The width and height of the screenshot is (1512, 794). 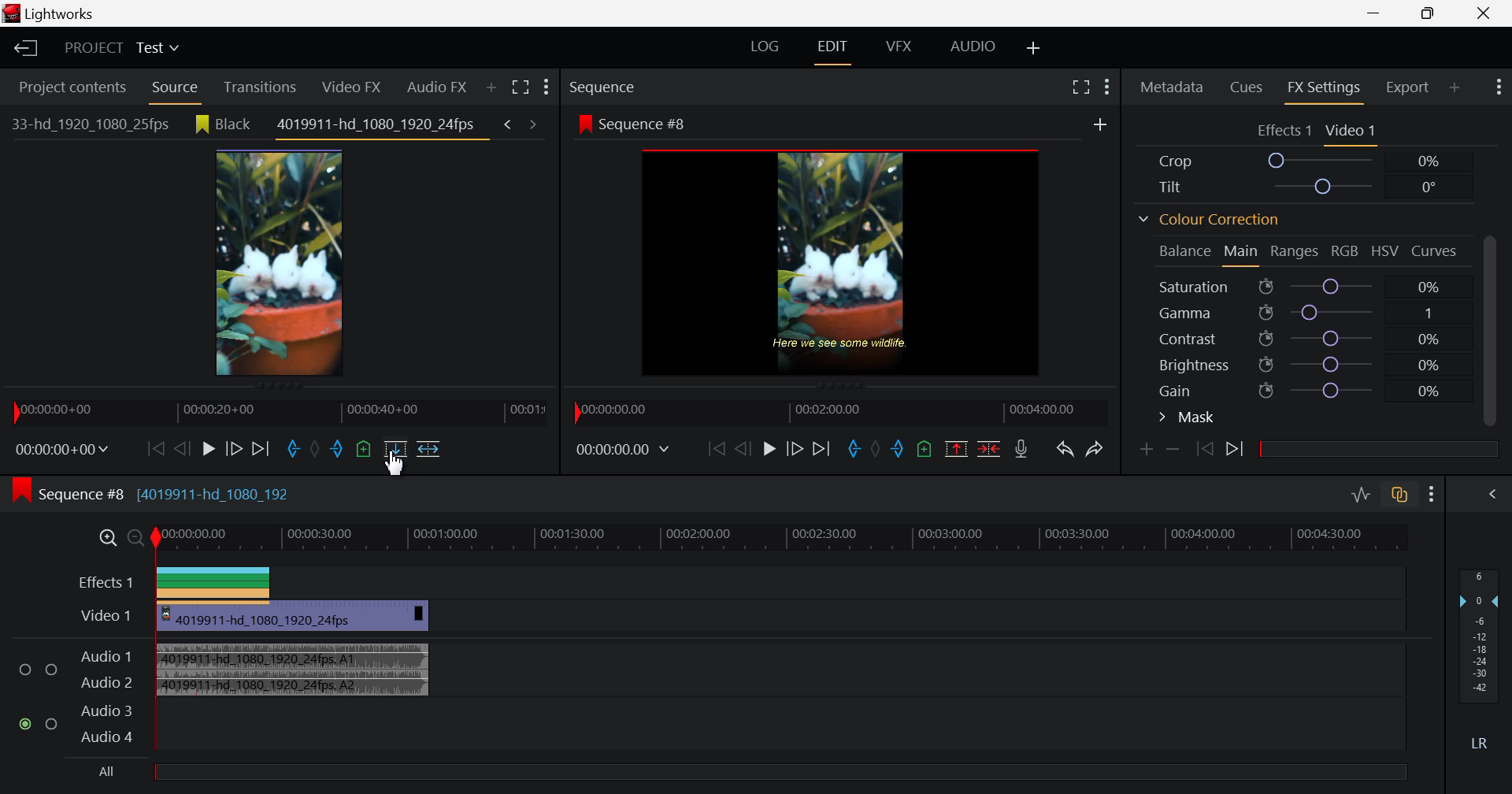 I want to click on Decibel Level, so click(x=1480, y=659).